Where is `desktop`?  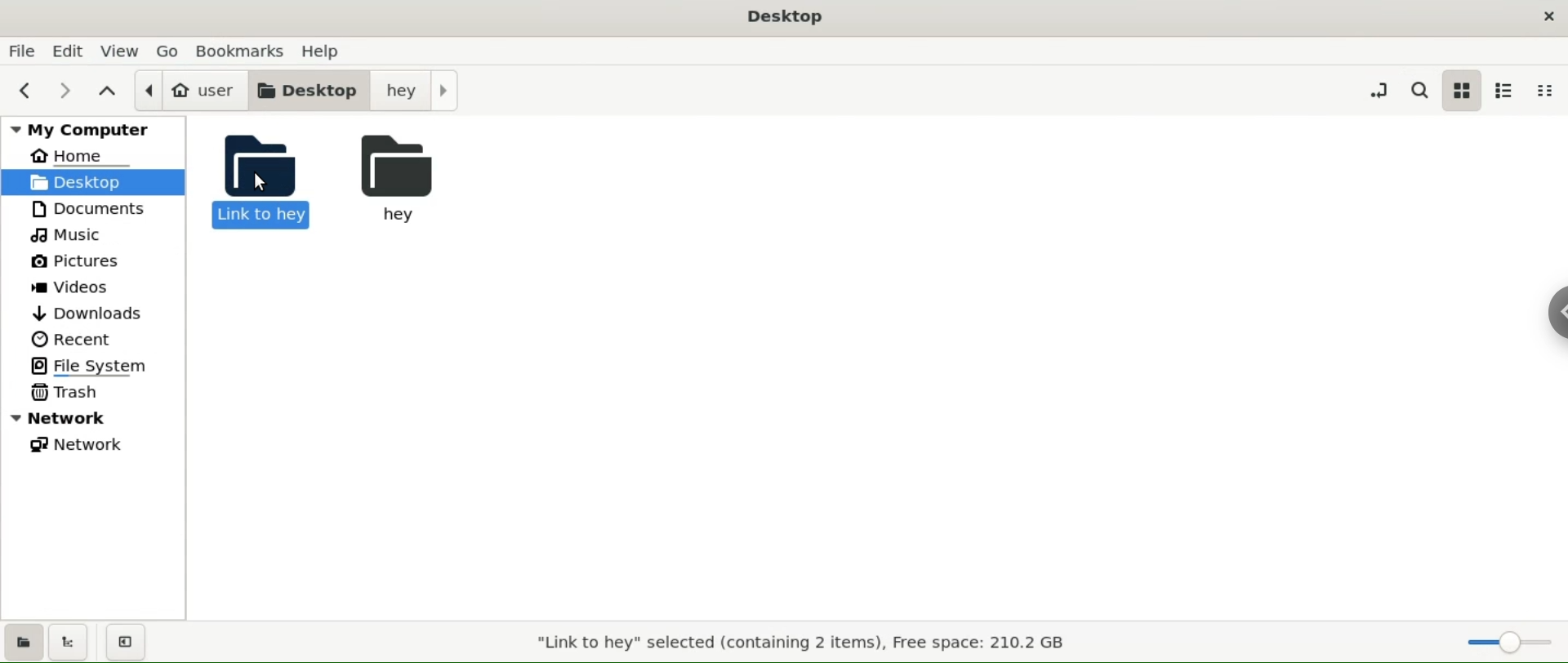 desktop is located at coordinates (309, 90).